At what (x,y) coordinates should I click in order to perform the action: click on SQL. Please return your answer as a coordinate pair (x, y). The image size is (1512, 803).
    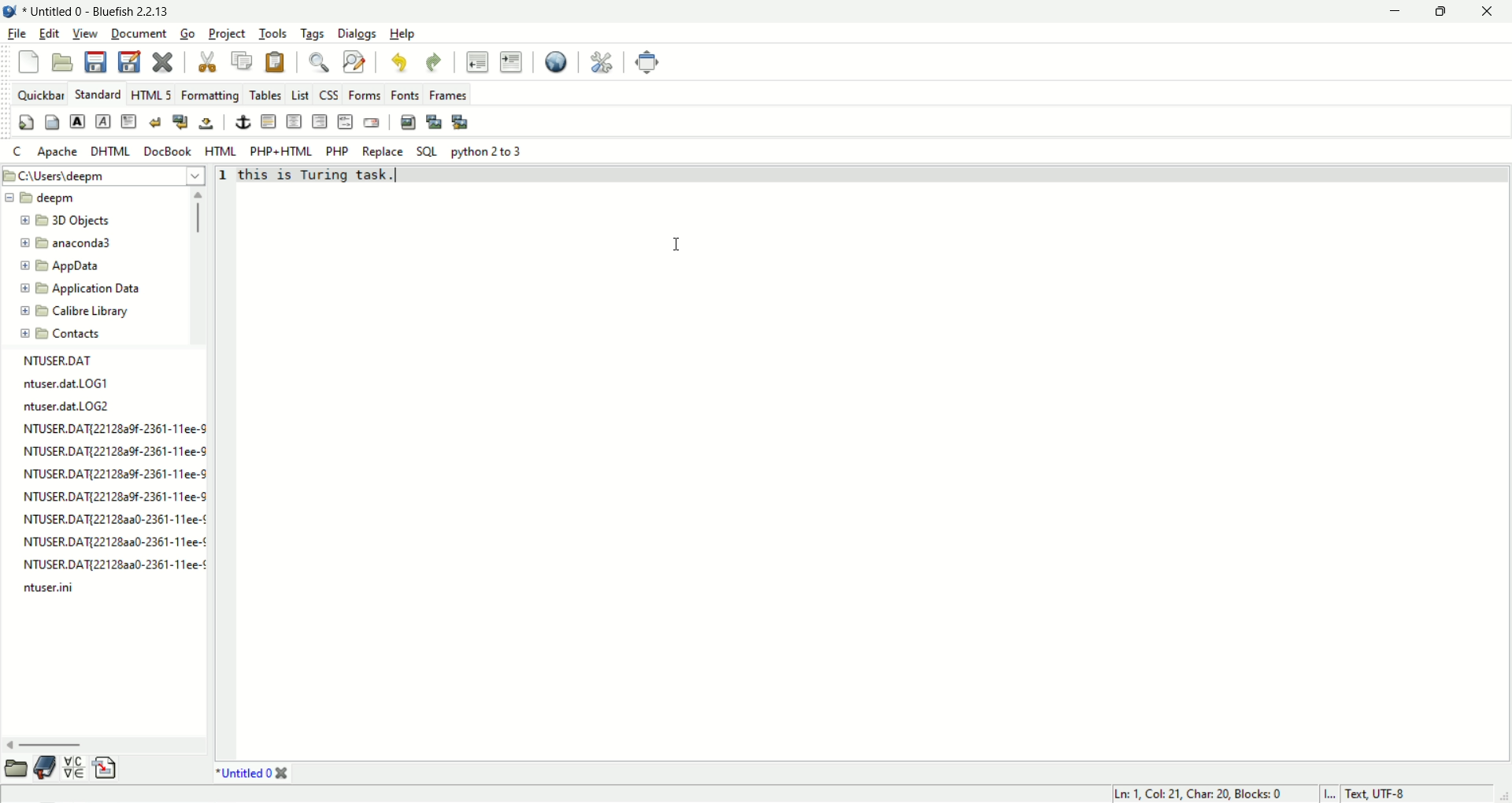
    Looking at the image, I should click on (428, 151).